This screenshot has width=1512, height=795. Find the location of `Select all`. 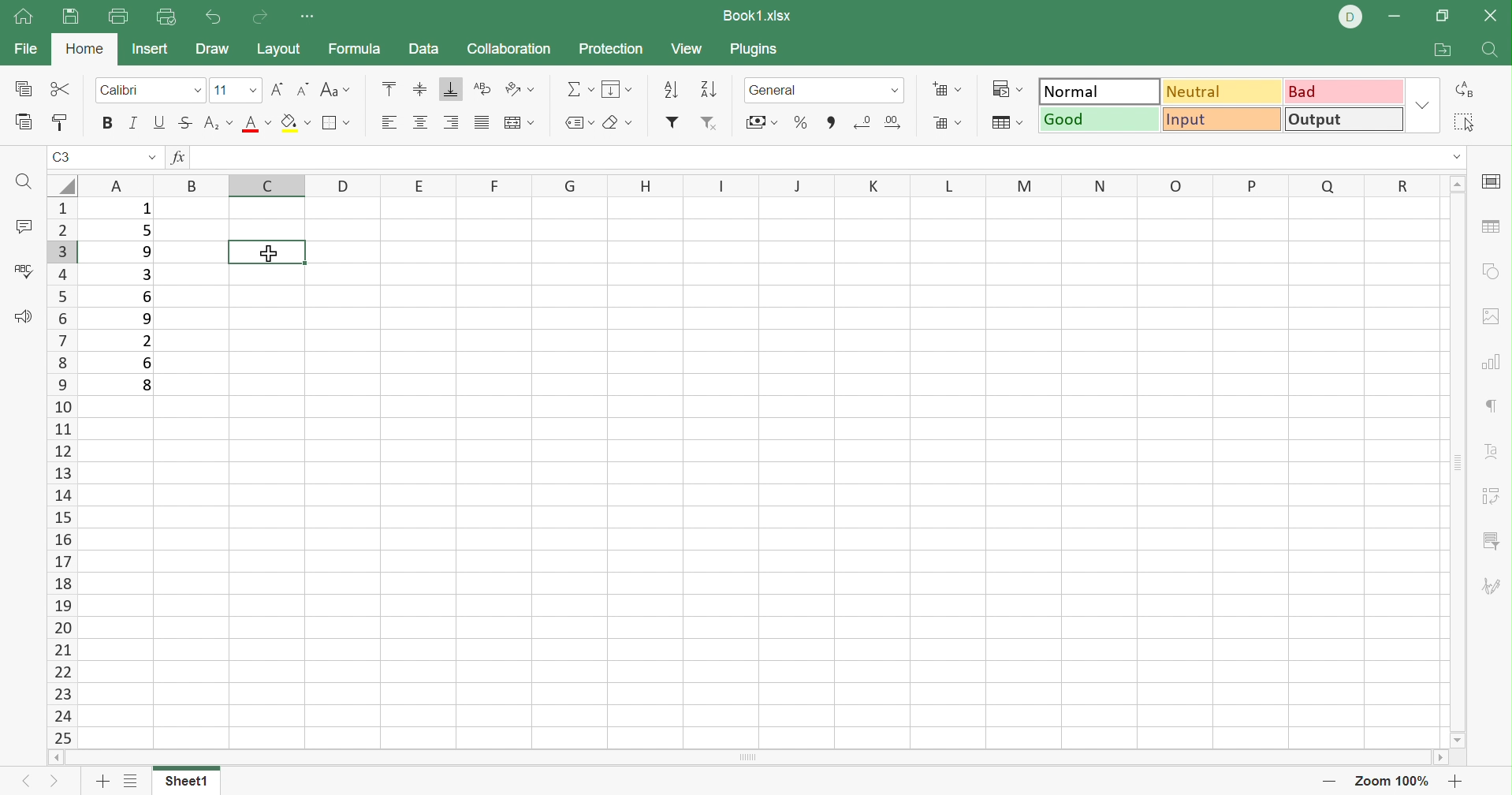

Select all is located at coordinates (1467, 123).